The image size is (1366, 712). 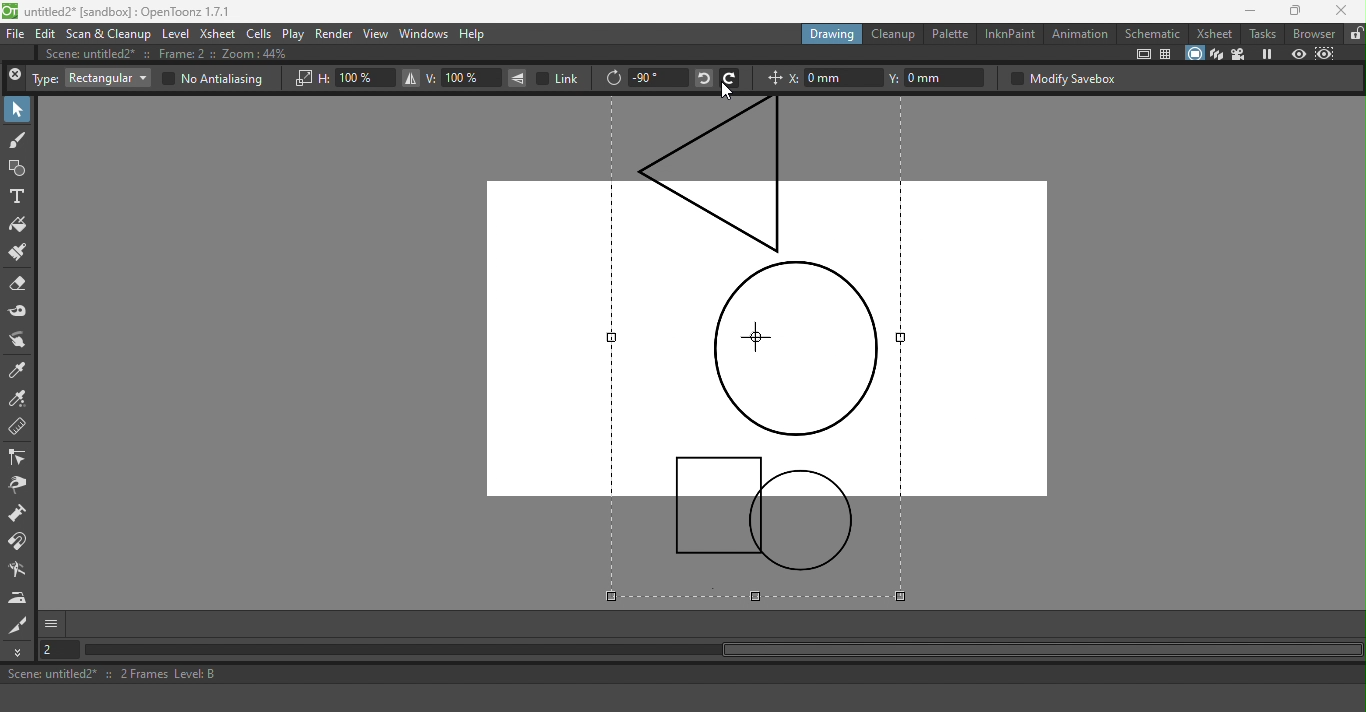 What do you see at coordinates (19, 459) in the screenshot?
I see `Control point editor tool` at bounding box center [19, 459].